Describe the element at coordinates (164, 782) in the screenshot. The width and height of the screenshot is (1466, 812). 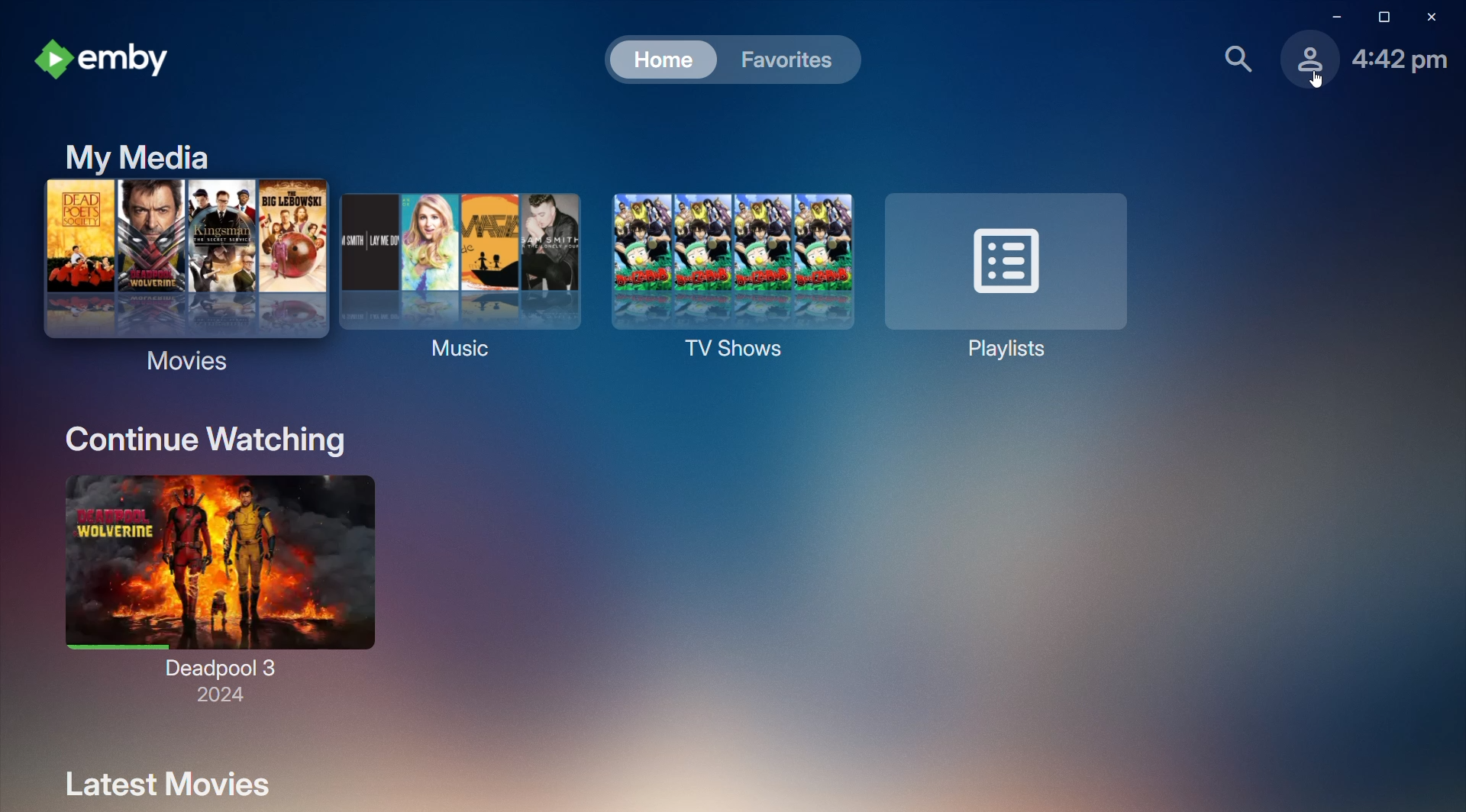
I see `Latest Movies` at that location.